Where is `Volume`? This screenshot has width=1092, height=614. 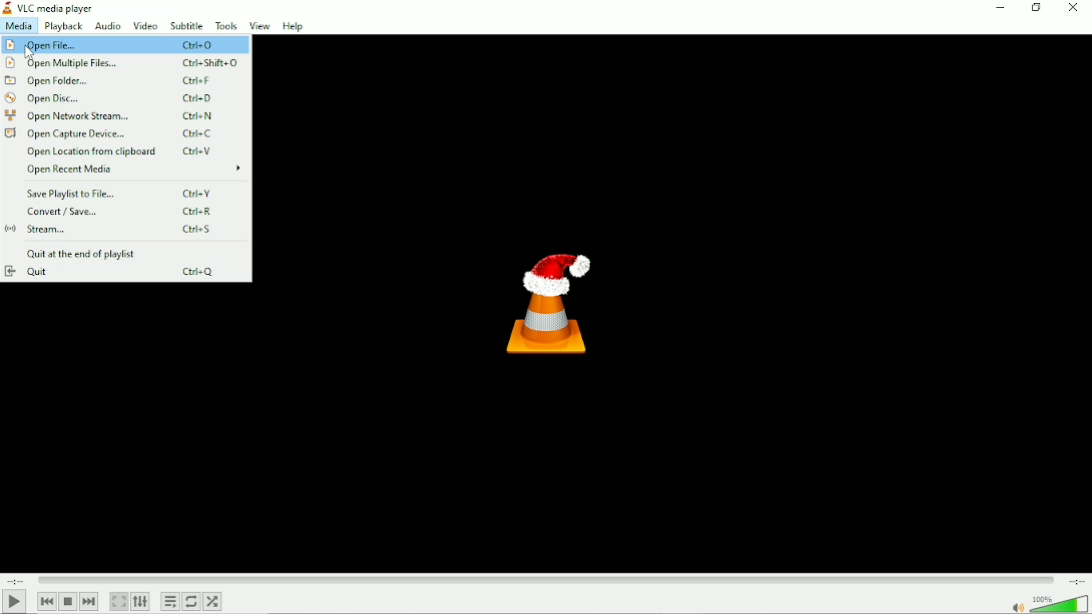
Volume is located at coordinates (1048, 603).